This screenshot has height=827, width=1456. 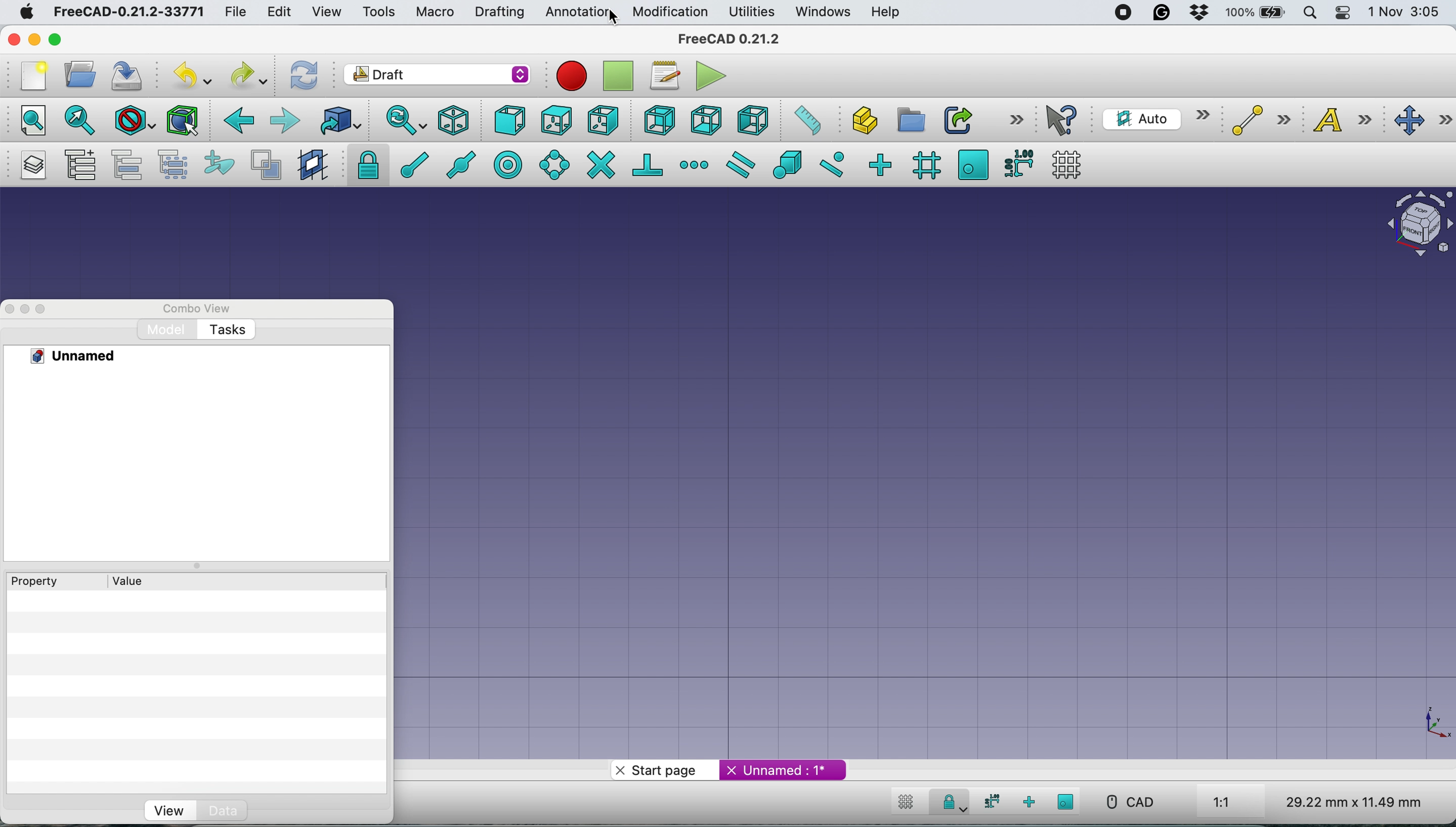 I want to click on snap at end, so click(x=410, y=166).